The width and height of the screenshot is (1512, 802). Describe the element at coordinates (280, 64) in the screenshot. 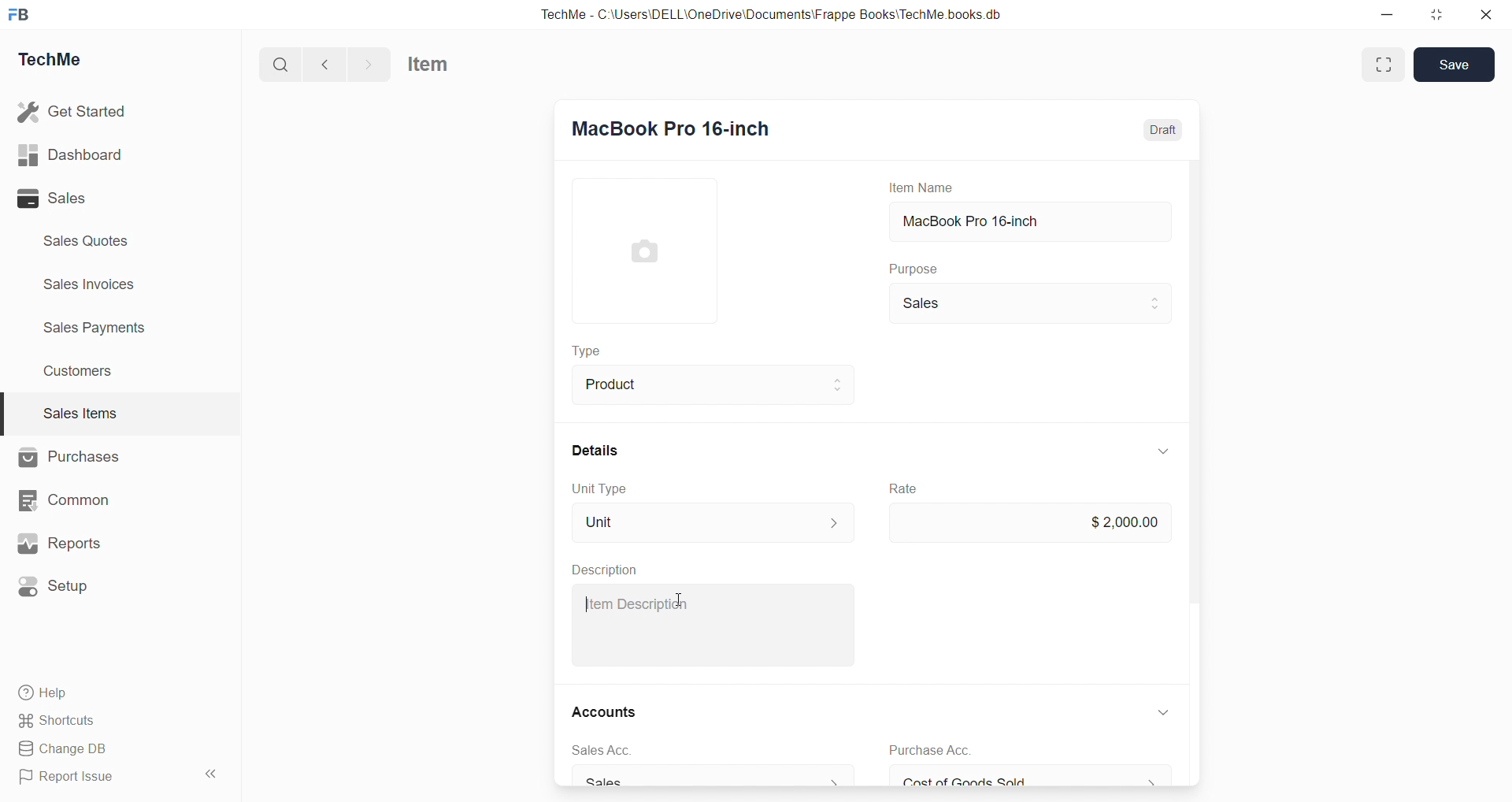

I see `search` at that location.